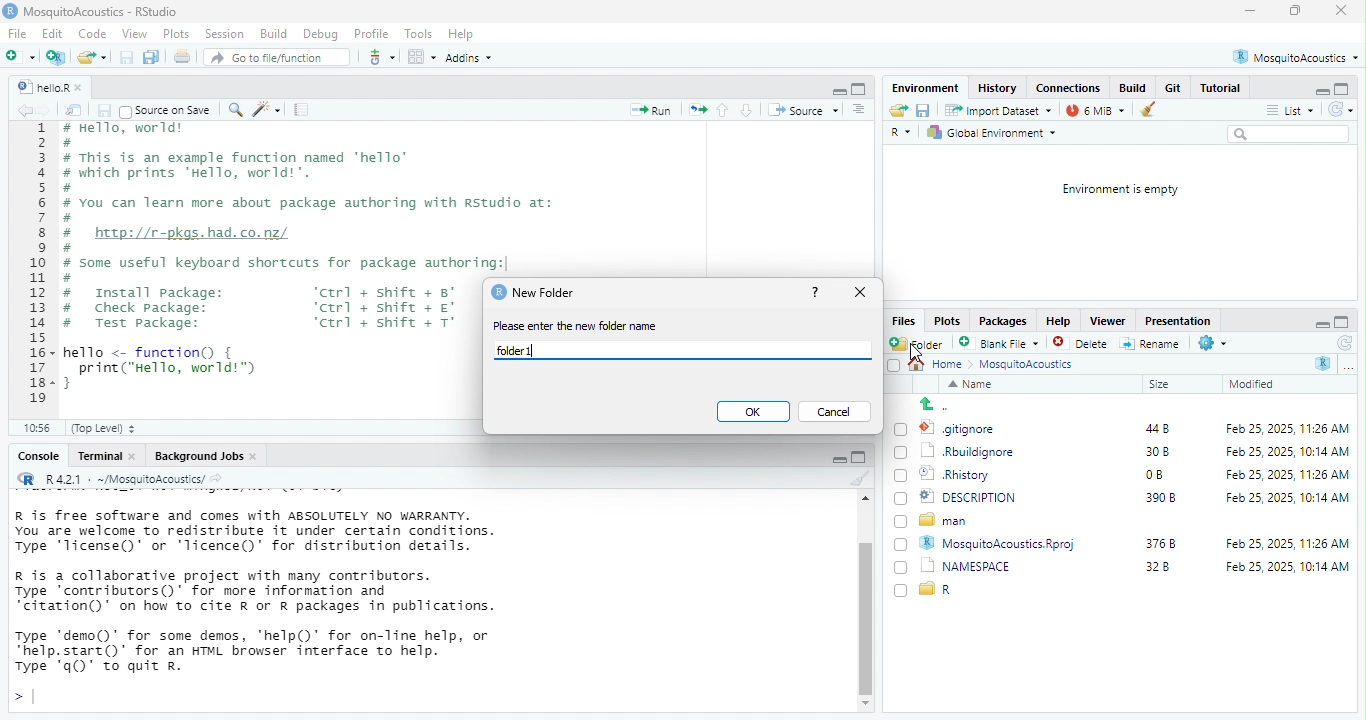 Image resolution: width=1366 pixels, height=720 pixels. What do you see at coordinates (91, 34) in the screenshot?
I see `Code` at bounding box center [91, 34].